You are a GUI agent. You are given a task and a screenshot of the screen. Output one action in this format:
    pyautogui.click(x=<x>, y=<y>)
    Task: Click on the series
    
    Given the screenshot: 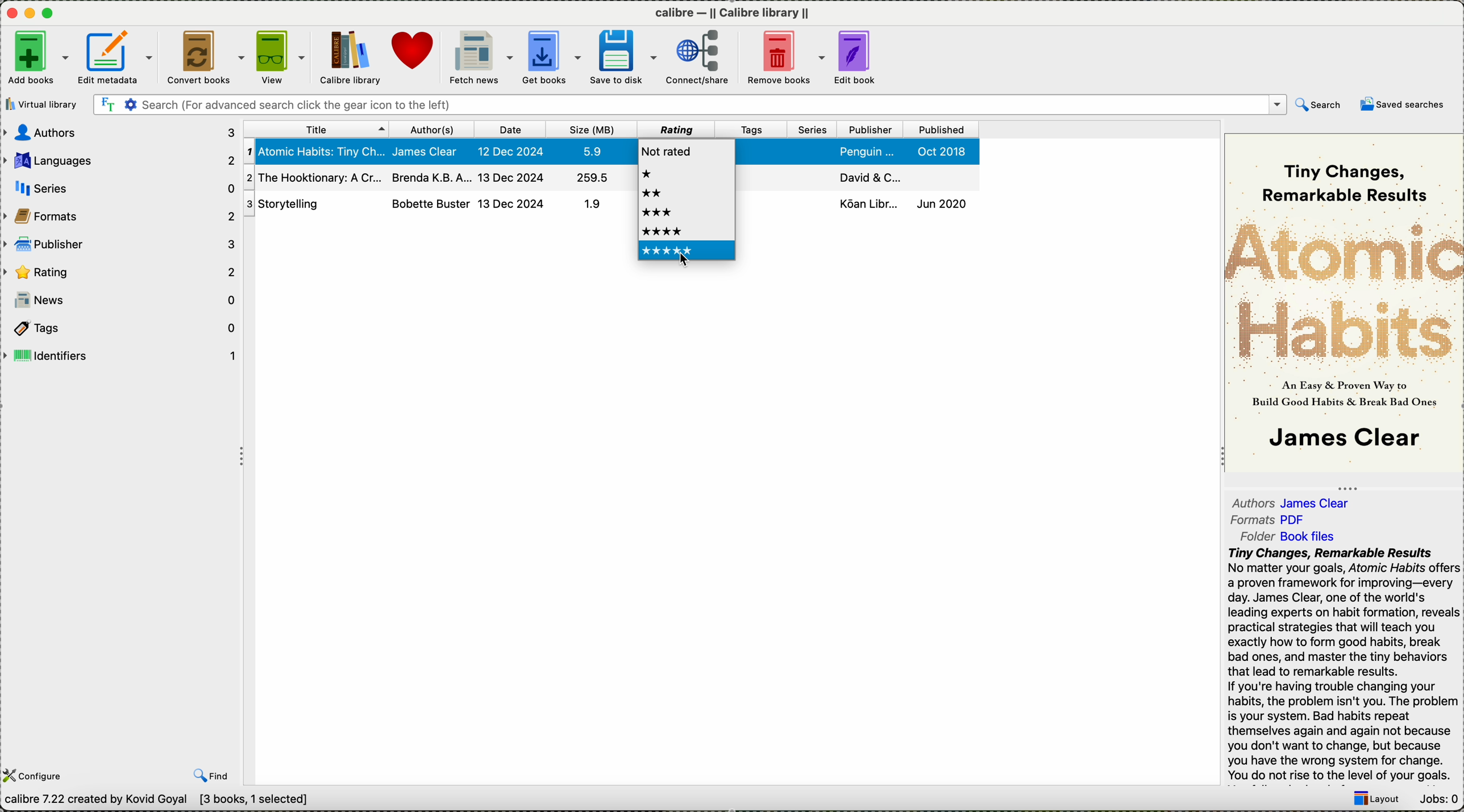 What is the action you would take?
    pyautogui.click(x=811, y=206)
    